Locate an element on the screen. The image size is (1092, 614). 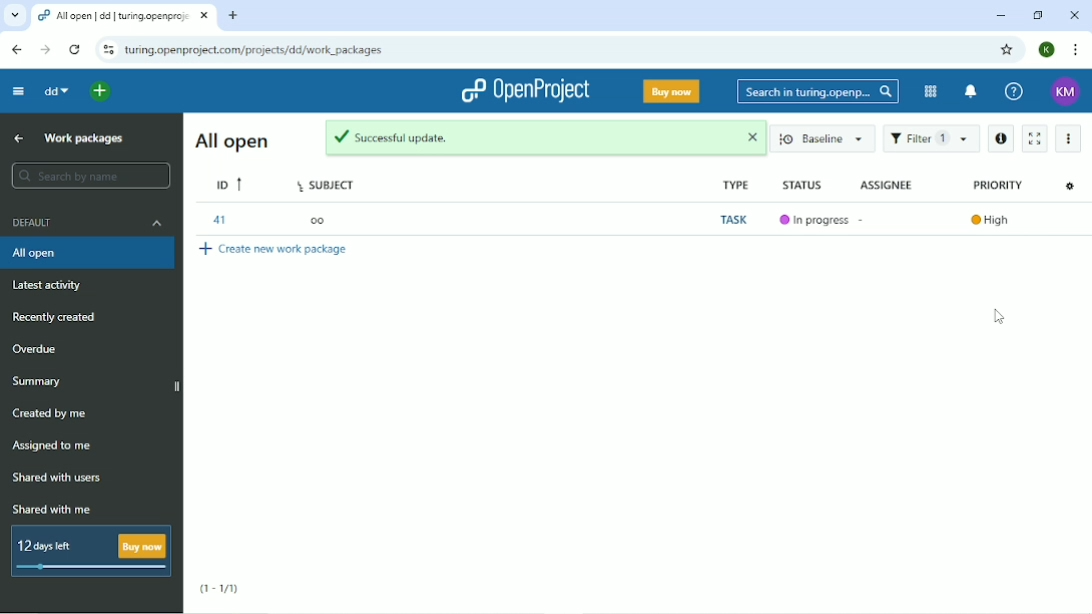
(1-1/1) is located at coordinates (222, 590).